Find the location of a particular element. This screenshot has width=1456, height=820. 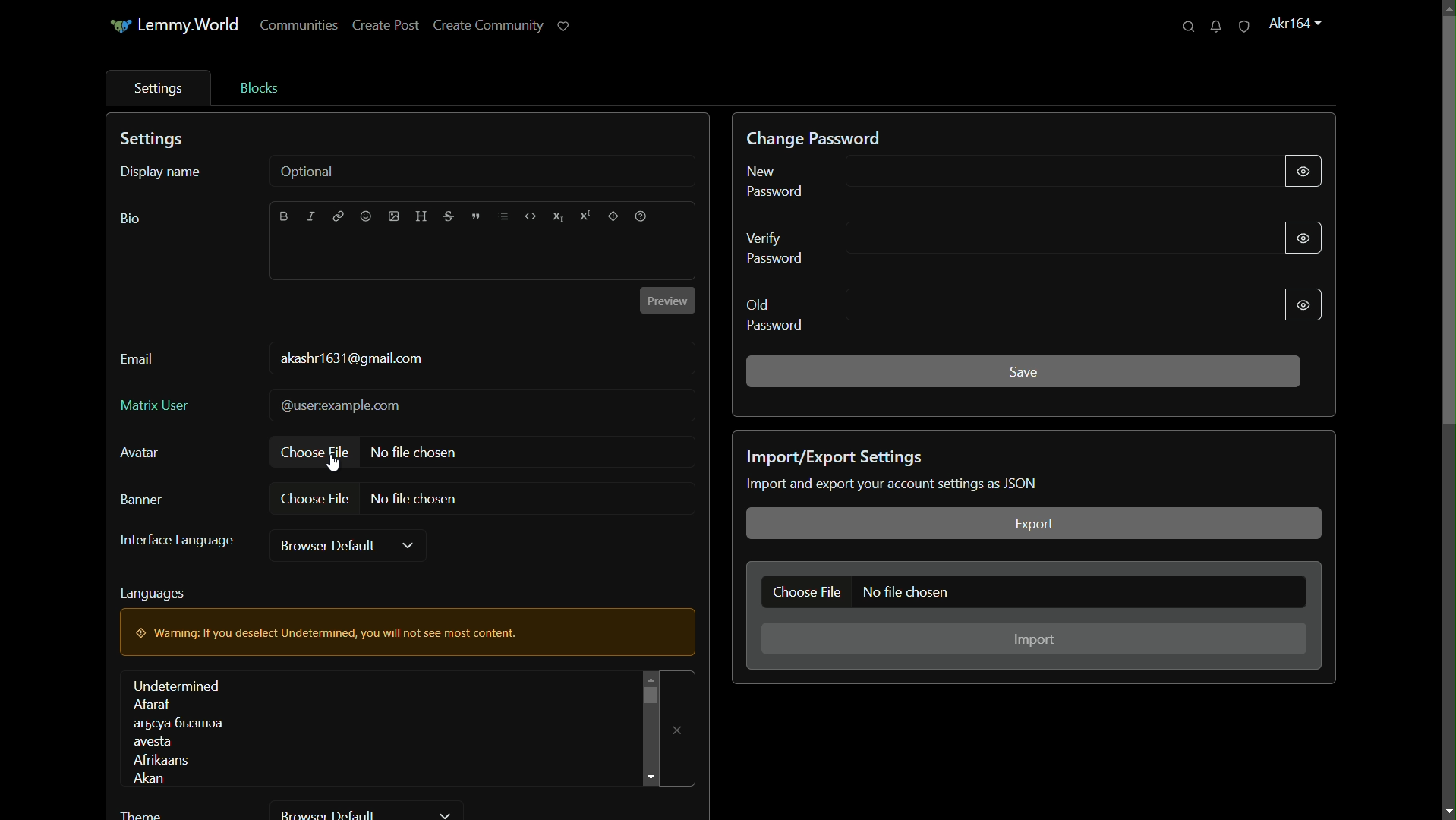

new password input bar is located at coordinates (1046, 174).